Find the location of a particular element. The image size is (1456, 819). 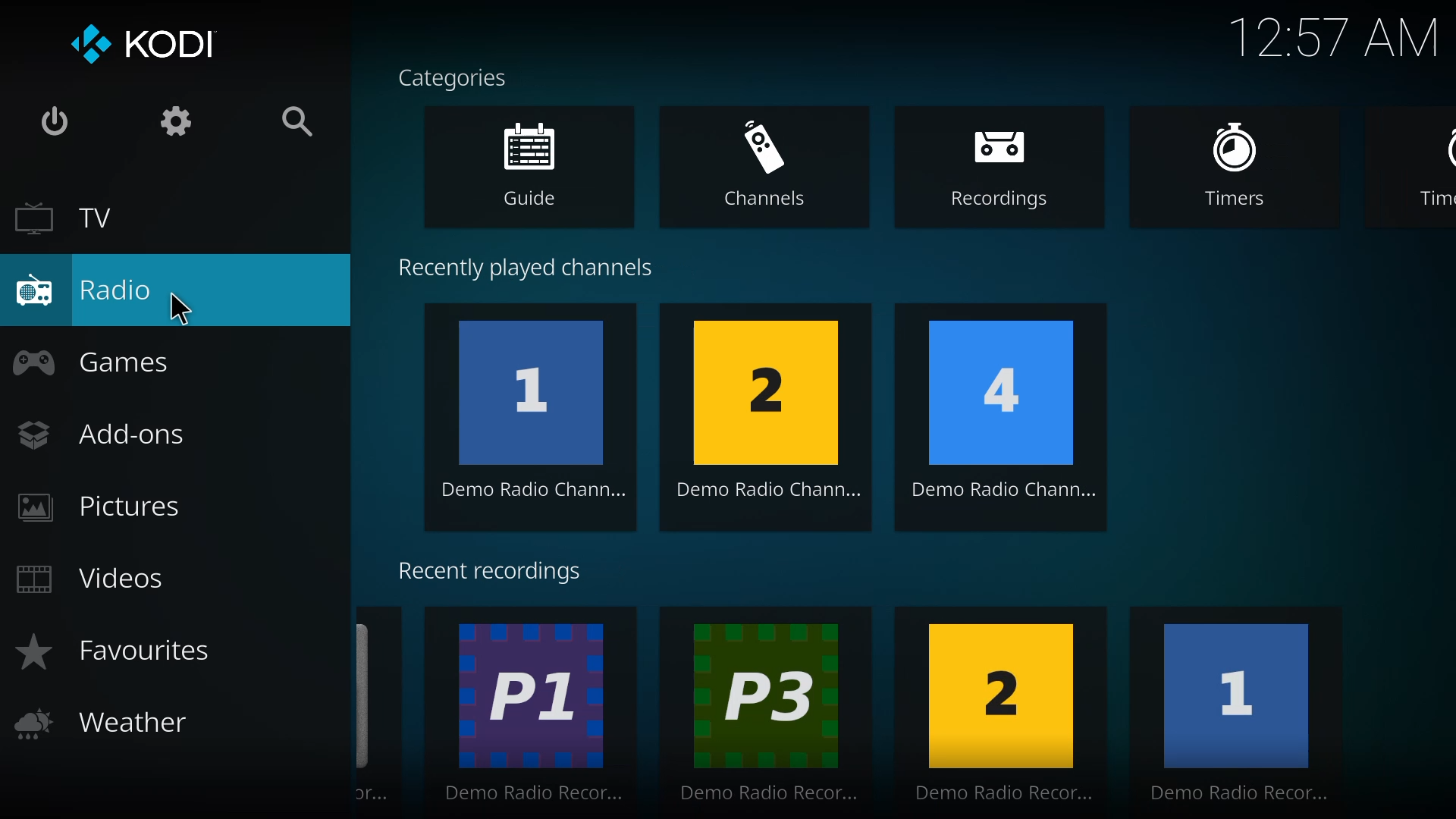

timers is located at coordinates (1241, 168).